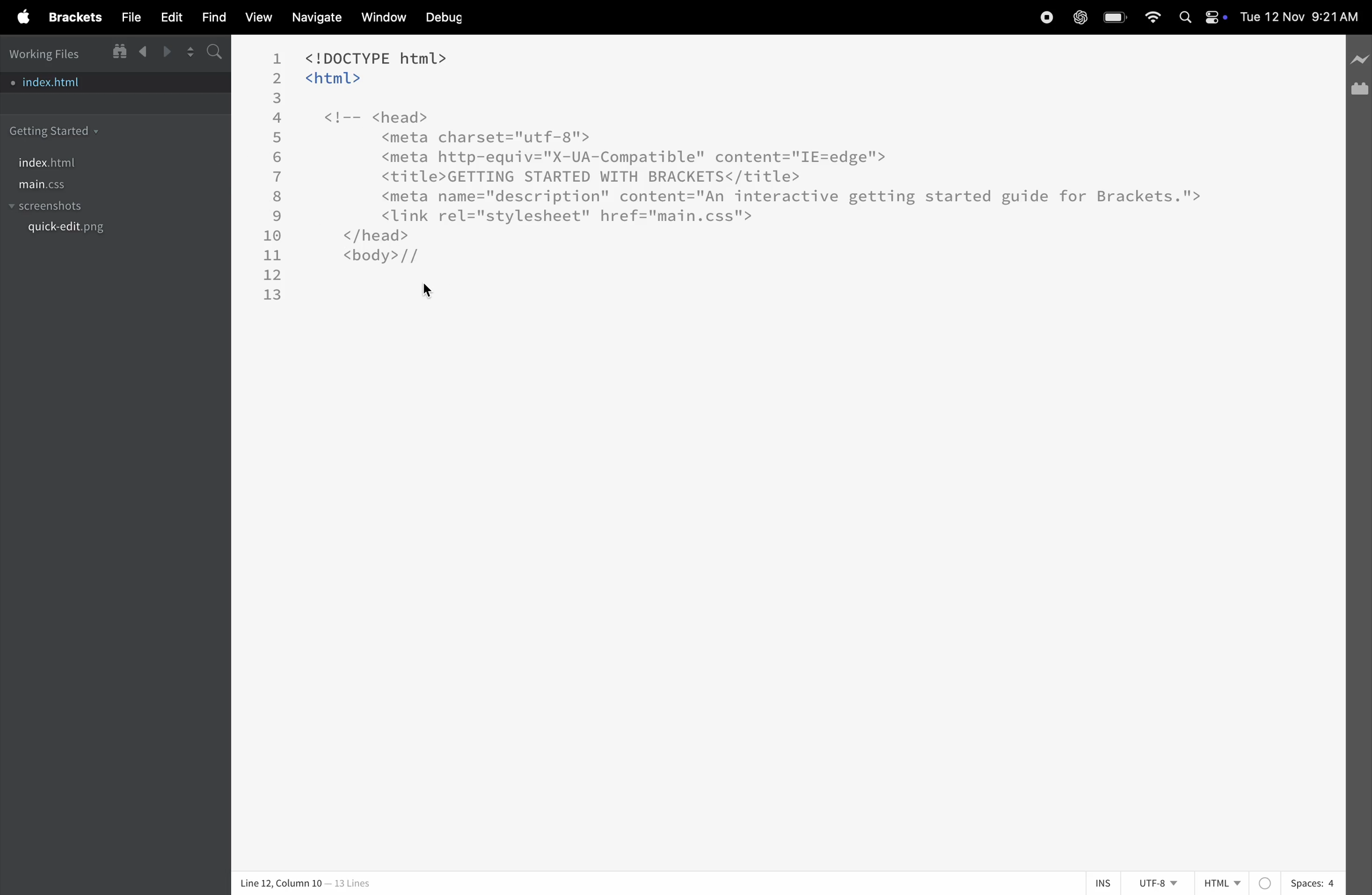 The width and height of the screenshot is (1372, 895). What do you see at coordinates (91, 78) in the screenshot?
I see `index.html` at bounding box center [91, 78].